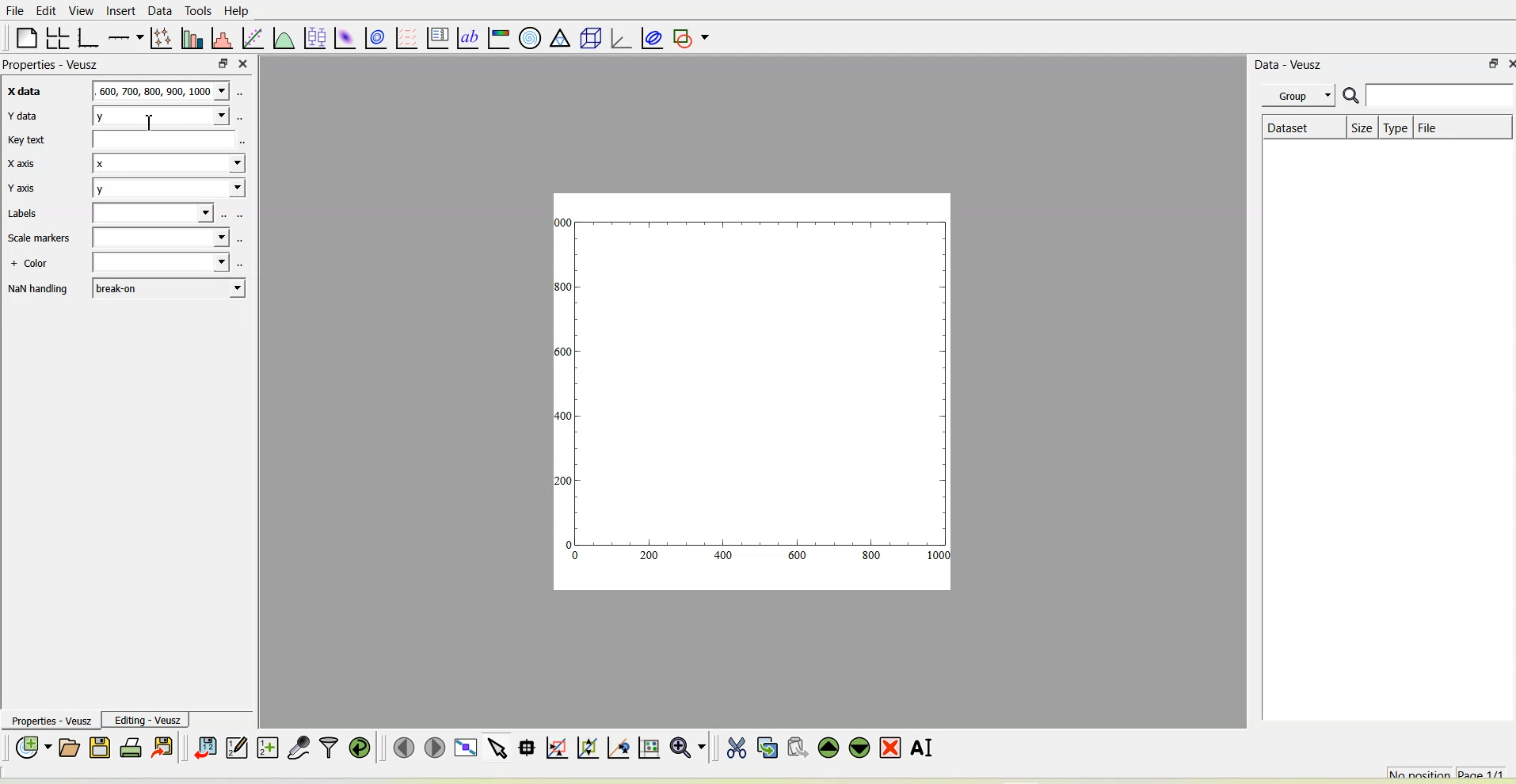 This screenshot has width=1516, height=784. Describe the element at coordinates (406, 37) in the screenshot. I see `plot a vector field` at that location.